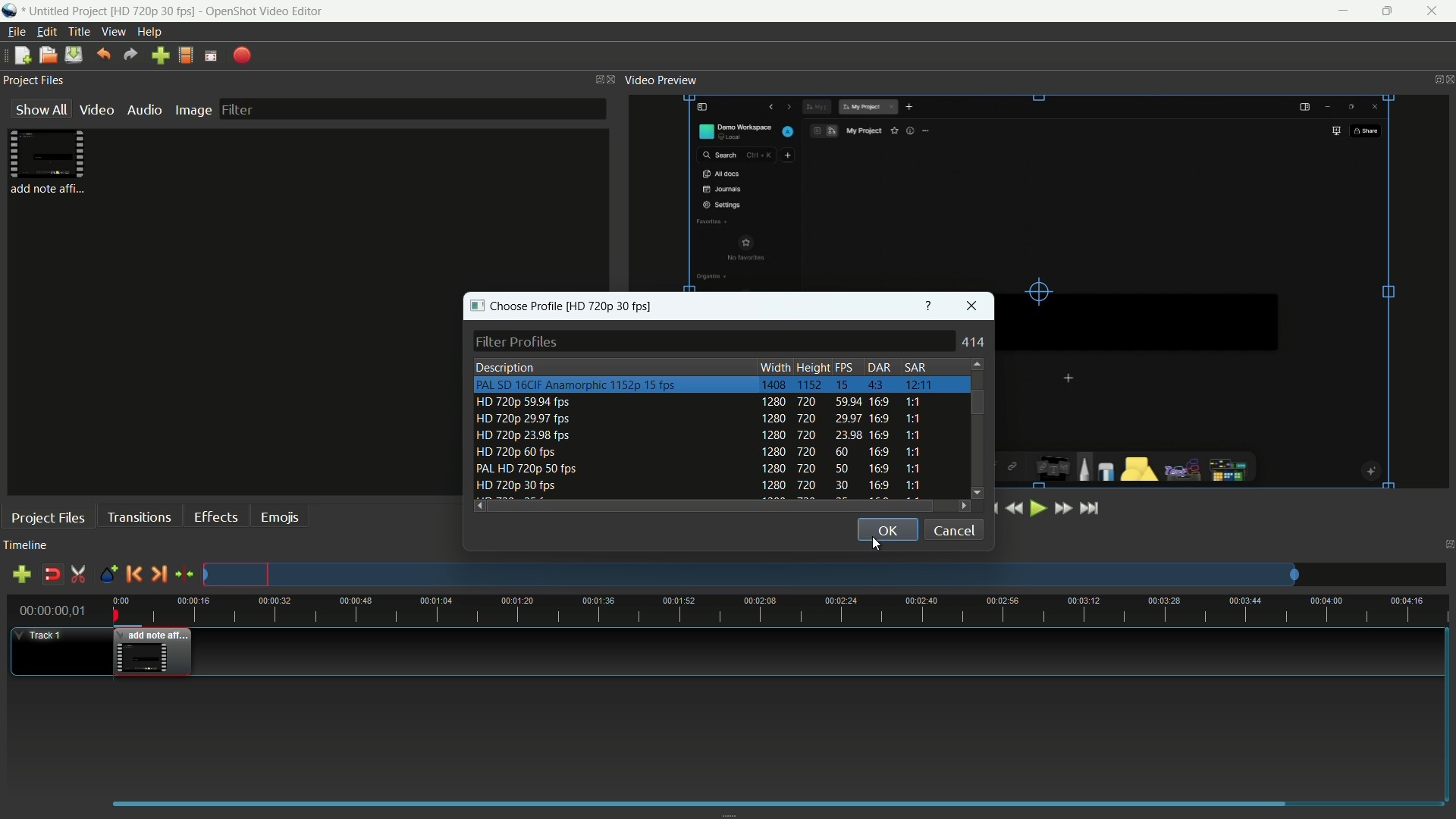  What do you see at coordinates (846, 369) in the screenshot?
I see `fps` at bounding box center [846, 369].